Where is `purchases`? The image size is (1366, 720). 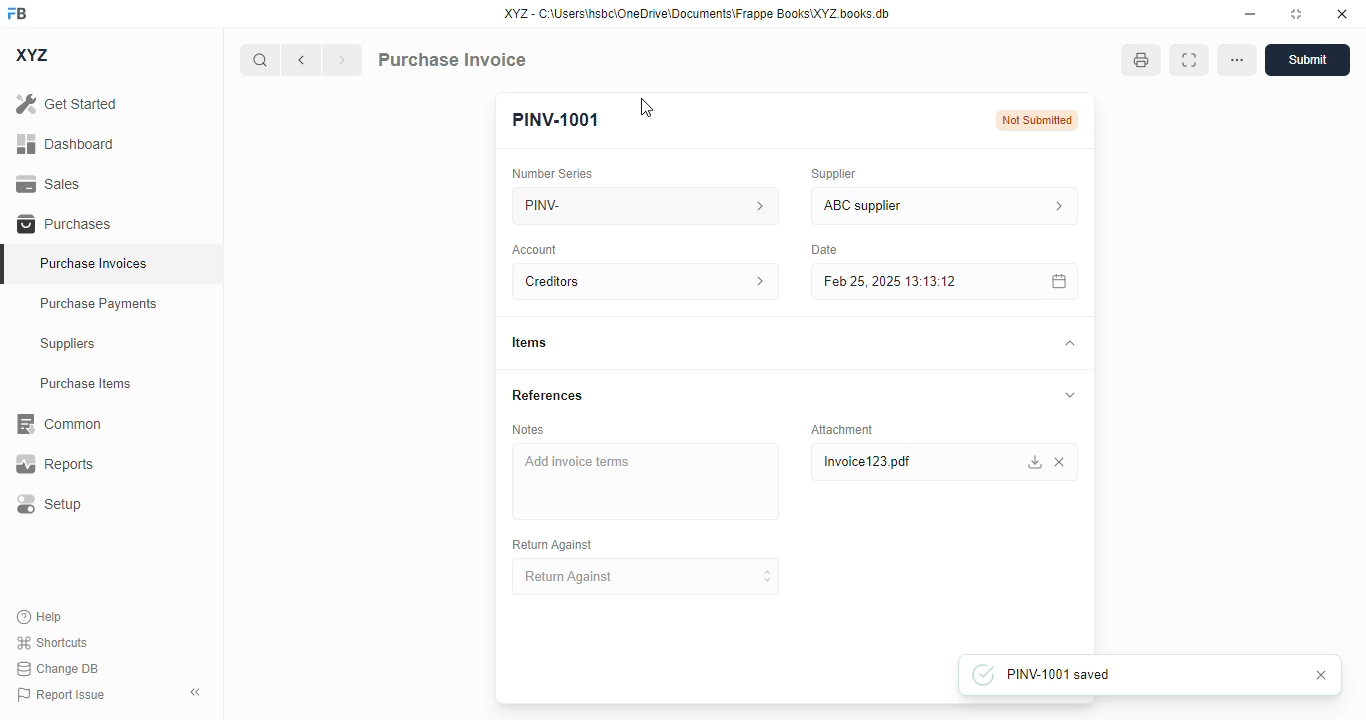 purchases is located at coordinates (64, 224).